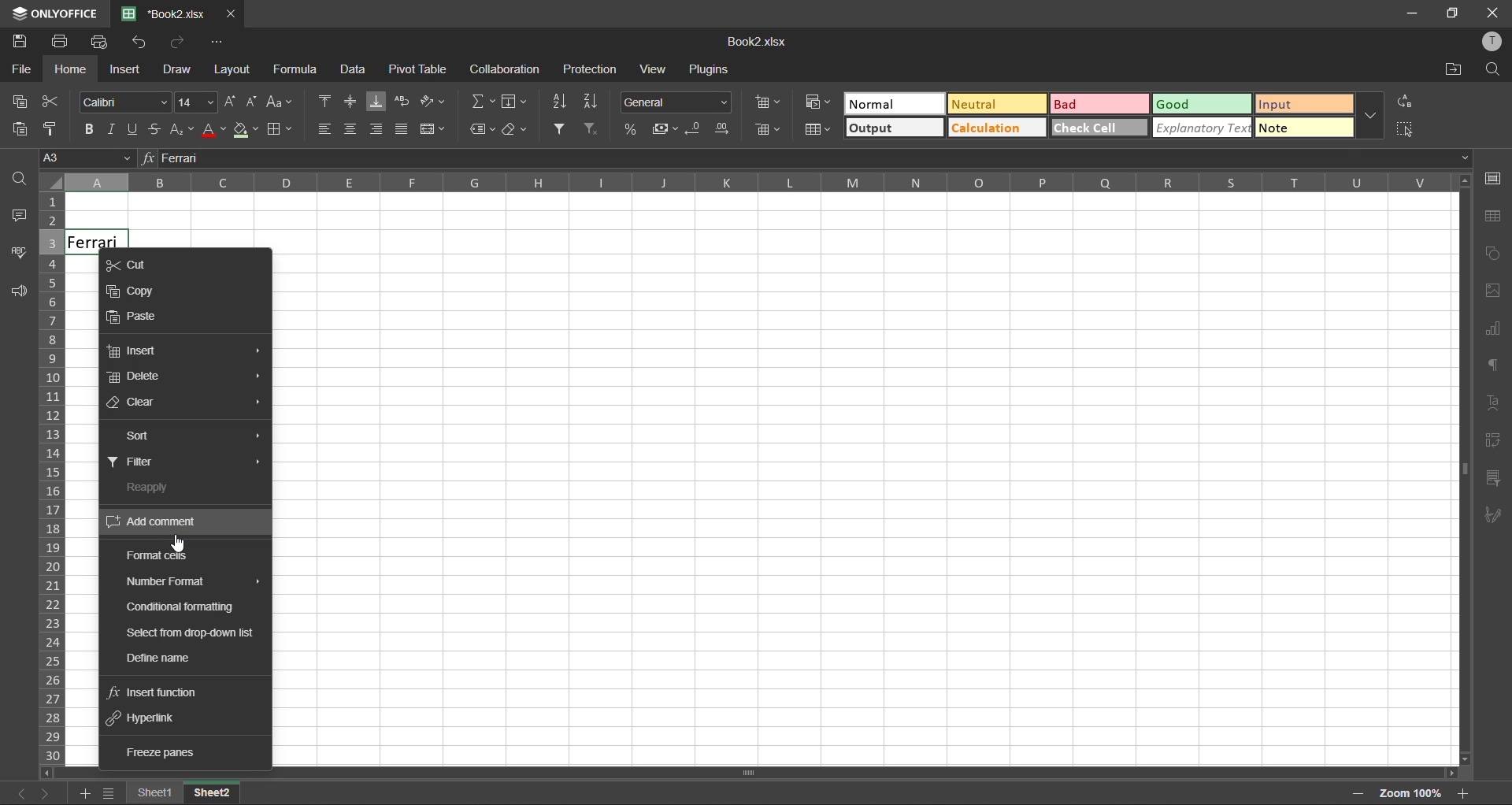 This screenshot has width=1512, height=805. Describe the element at coordinates (1493, 11) in the screenshot. I see `Close ` at that location.